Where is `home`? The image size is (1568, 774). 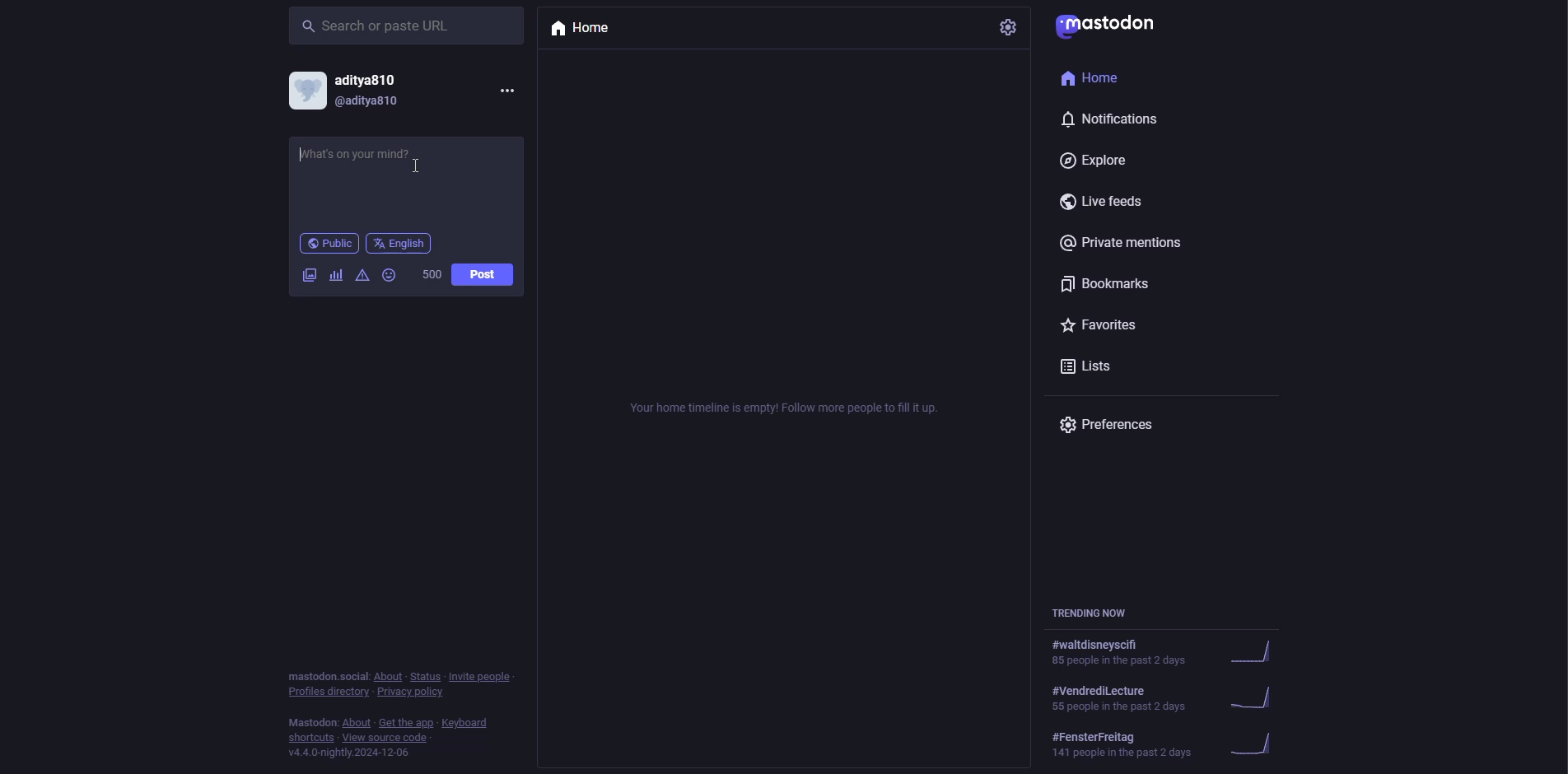 home is located at coordinates (1102, 81).